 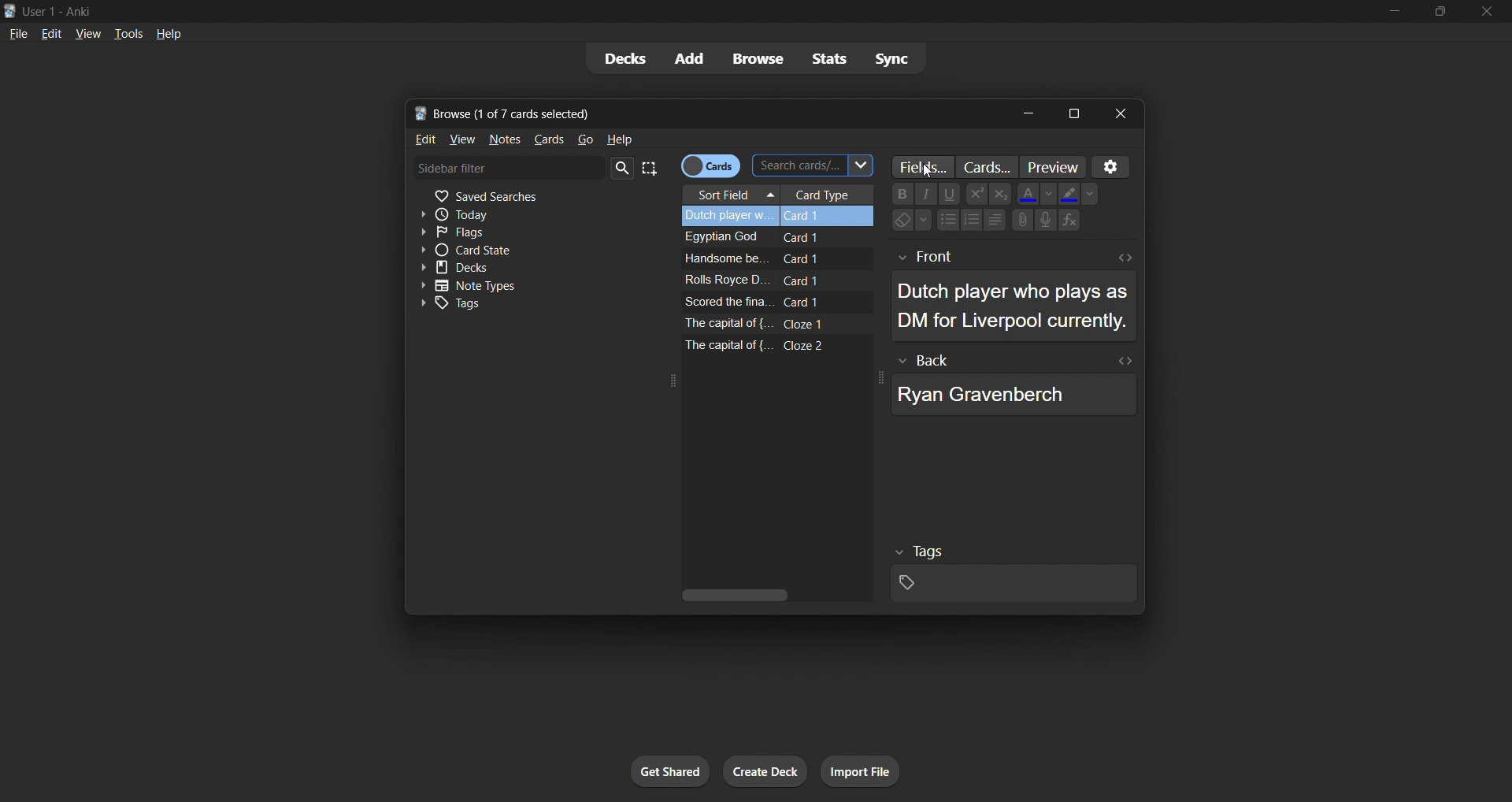 What do you see at coordinates (1027, 113) in the screenshot?
I see `minimize` at bounding box center [1027, 113].